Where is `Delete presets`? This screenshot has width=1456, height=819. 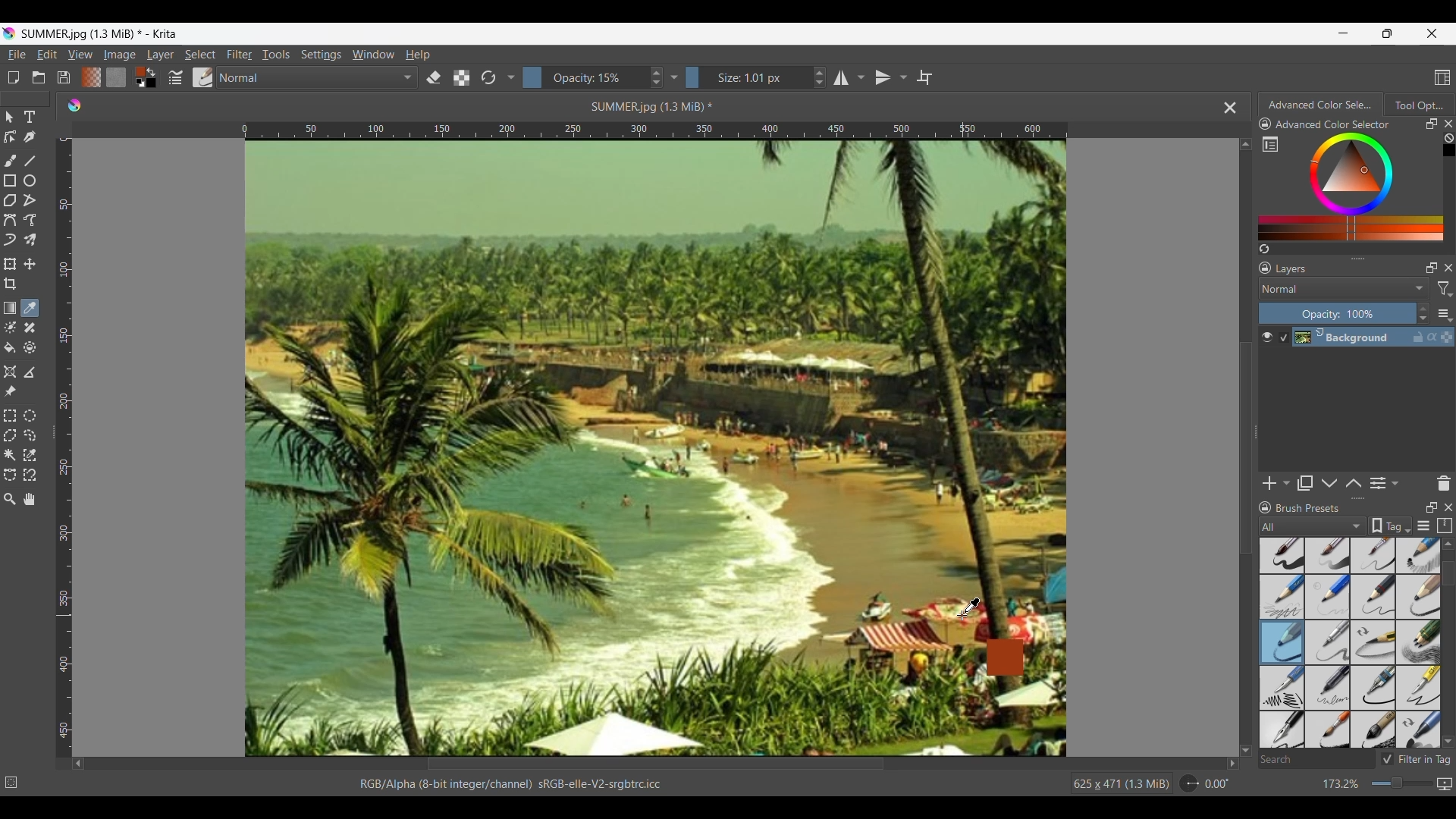 Delete presets is located at coordinates (1444, 484).